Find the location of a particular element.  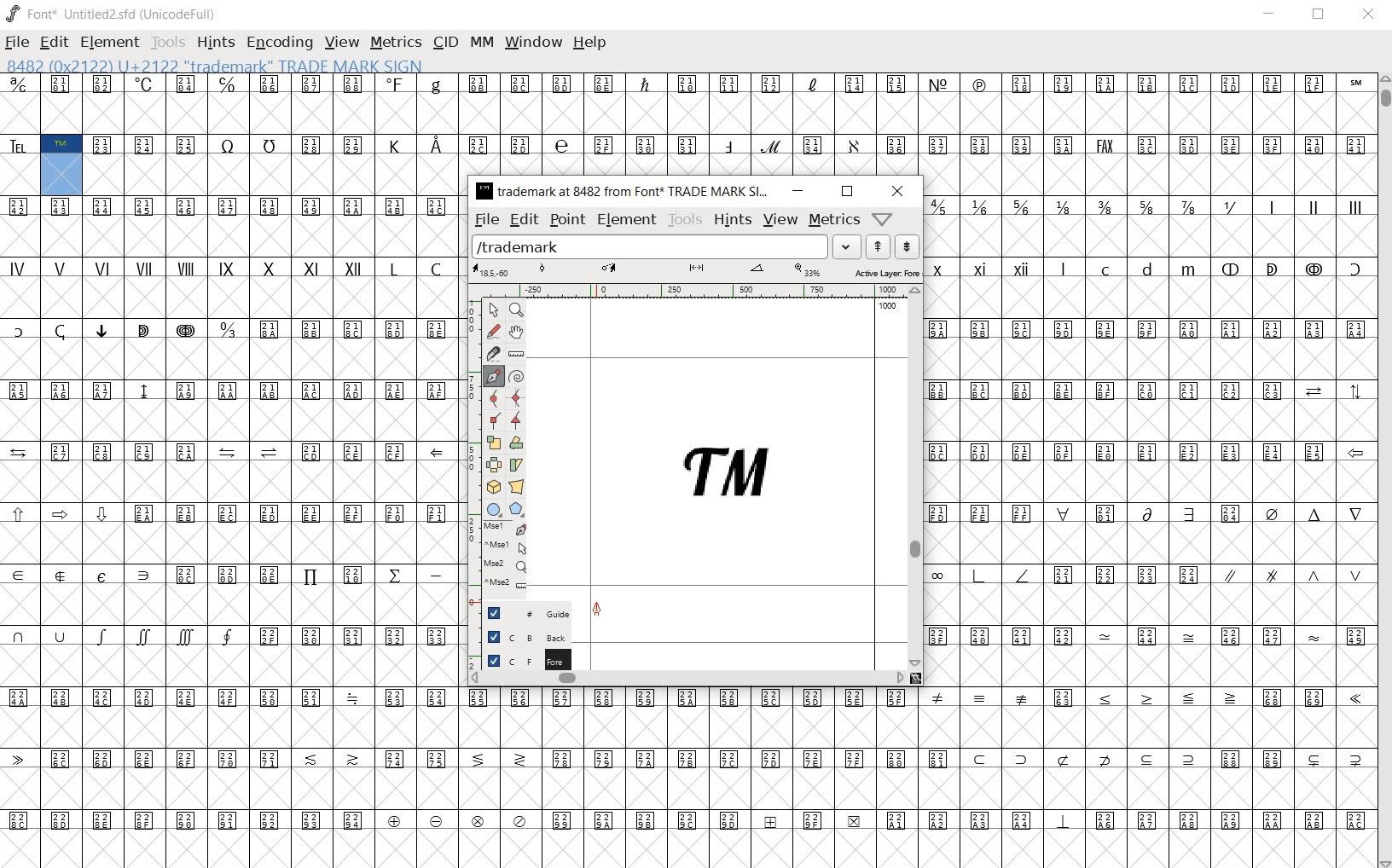

magnify is located at coordinates (515, 311).